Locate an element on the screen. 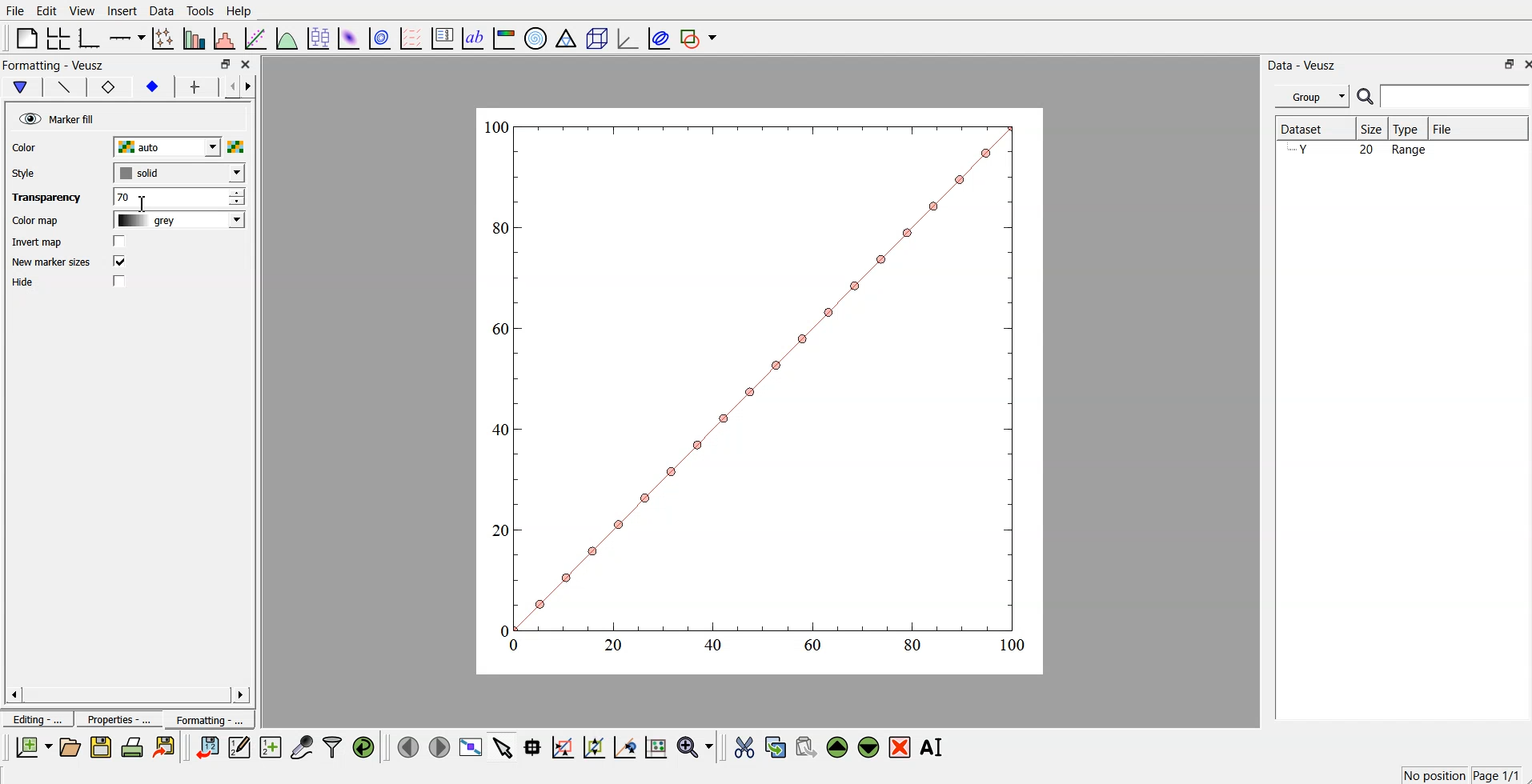 Image resolution: width=1532 pixels, height=784 pixels. click to recentre graph axes is located at coordinates (626, 745).